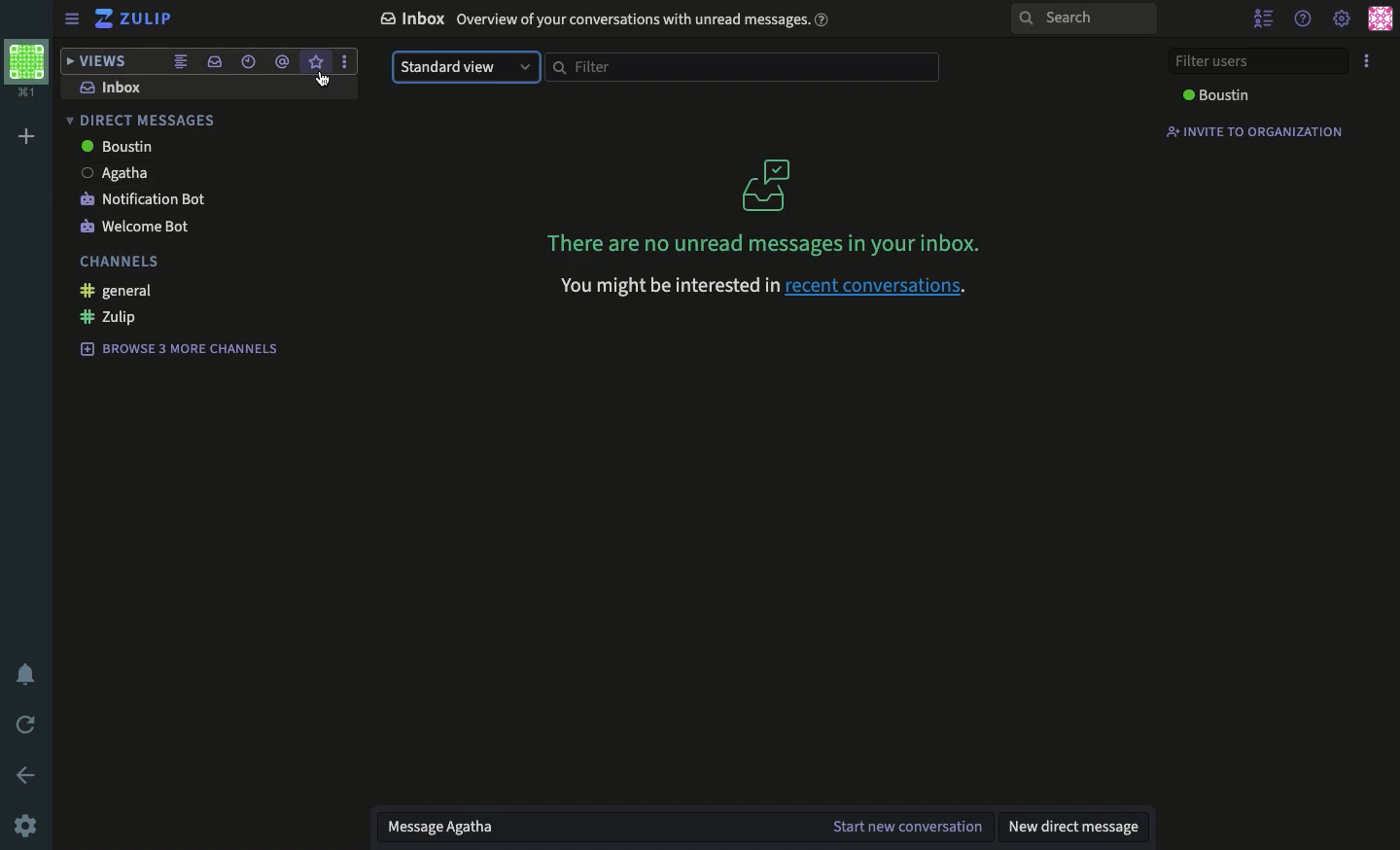 The height and width of the screenshot is (850, 1400). Describe the element at coordinates (878, 289) in the screenshot. I see `recent conversations` at that location.